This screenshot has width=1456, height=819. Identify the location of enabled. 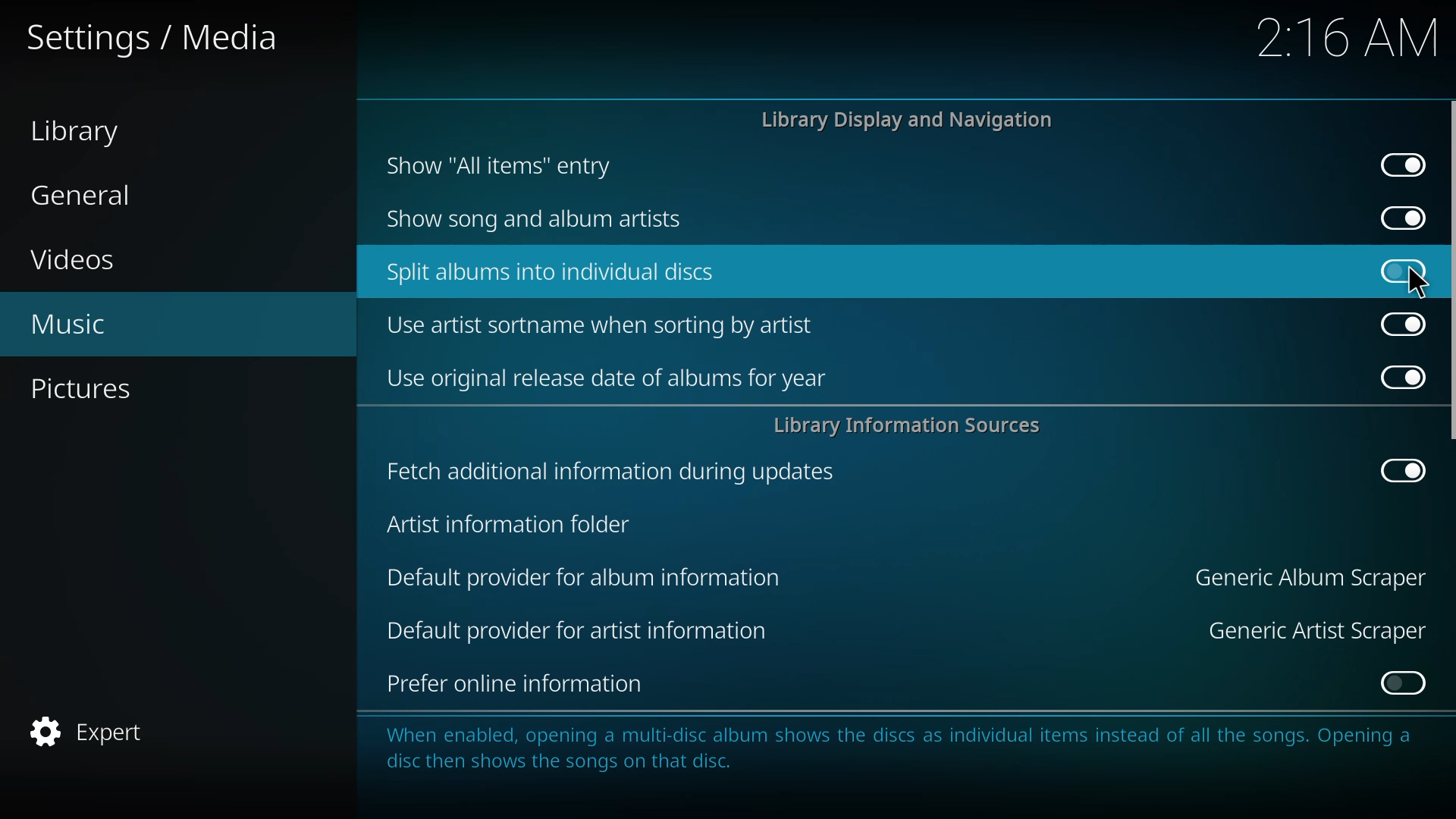
(1401, 684).